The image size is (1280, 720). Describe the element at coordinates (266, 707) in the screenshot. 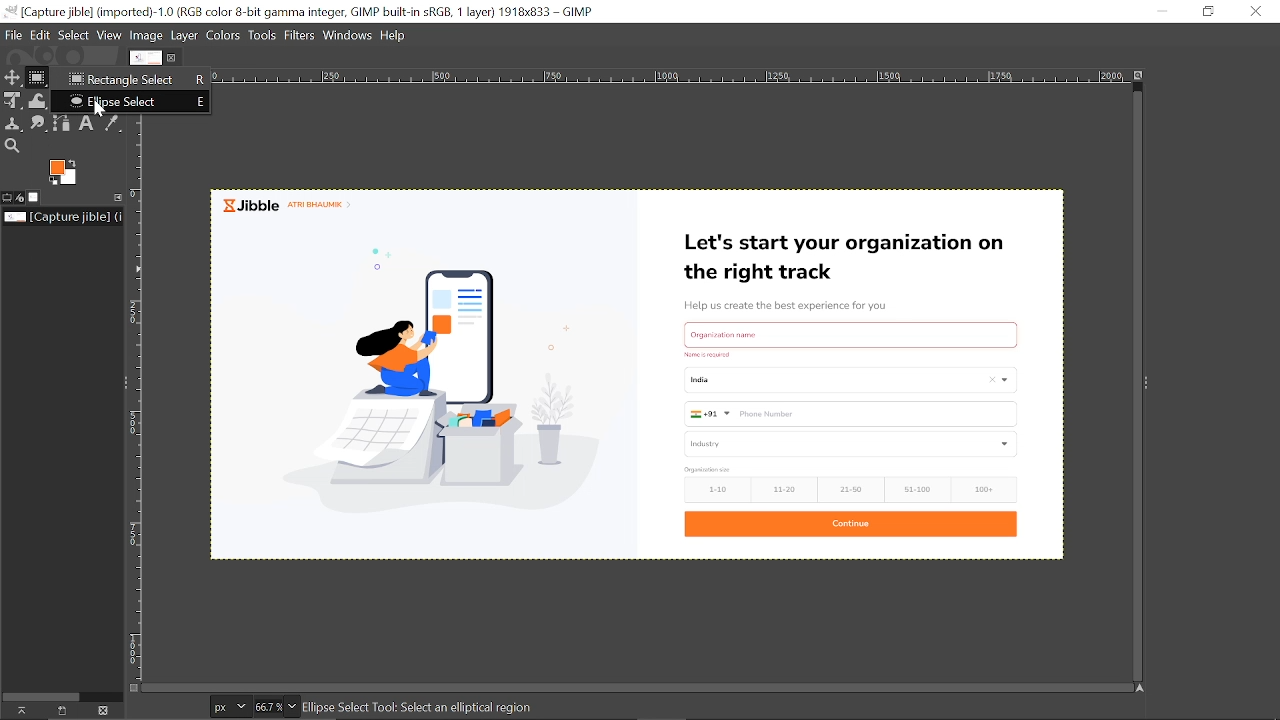

I see `Current zoom` at that location.